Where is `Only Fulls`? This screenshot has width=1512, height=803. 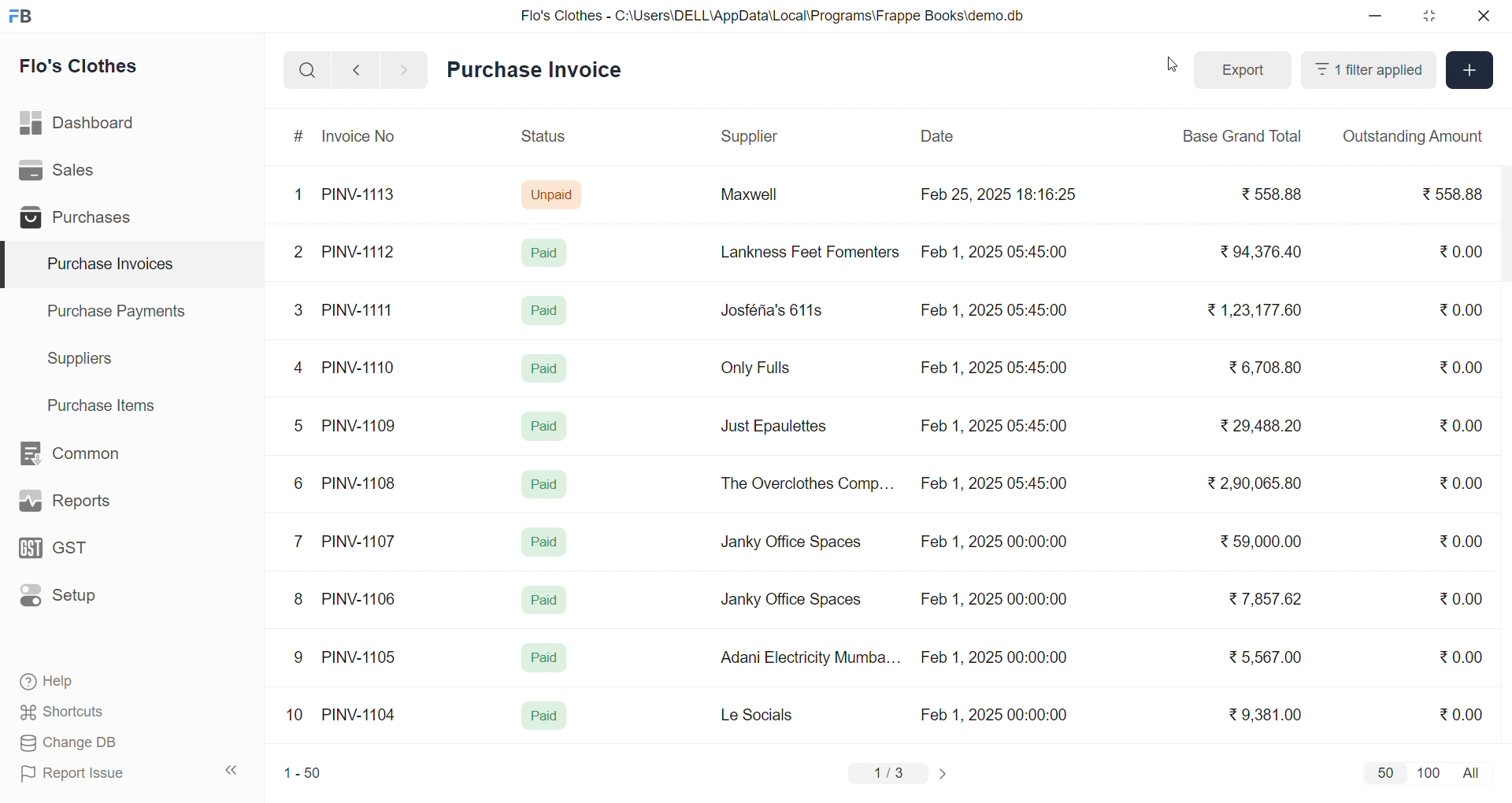
Only Fulls is located at coordinates (762, 372).